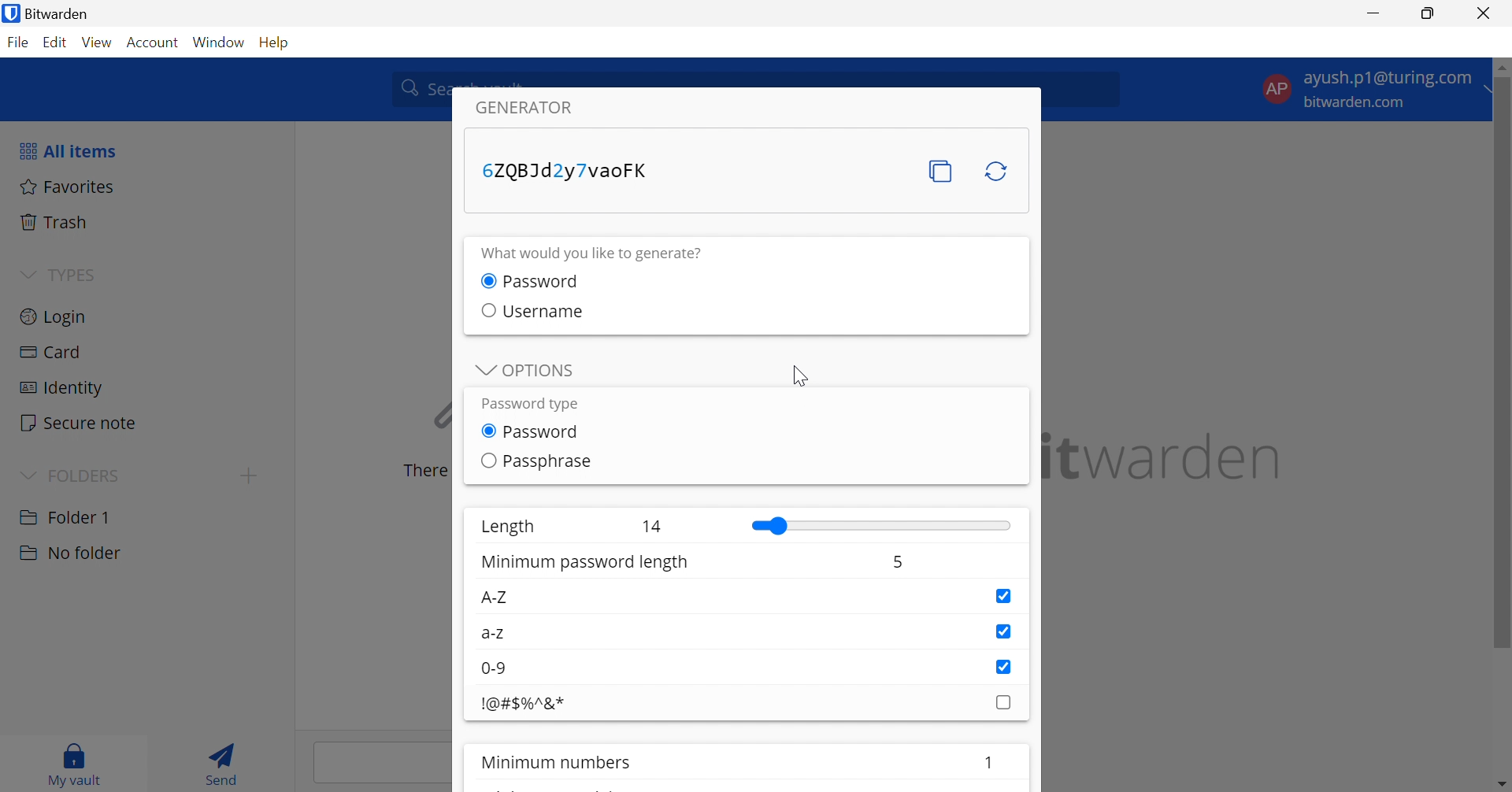 The height and width of the screenshot is (792, 1512). What do you see at coordinates (546, 280) in the screenshot?
I see `Password` at bounding box center [546, 280].